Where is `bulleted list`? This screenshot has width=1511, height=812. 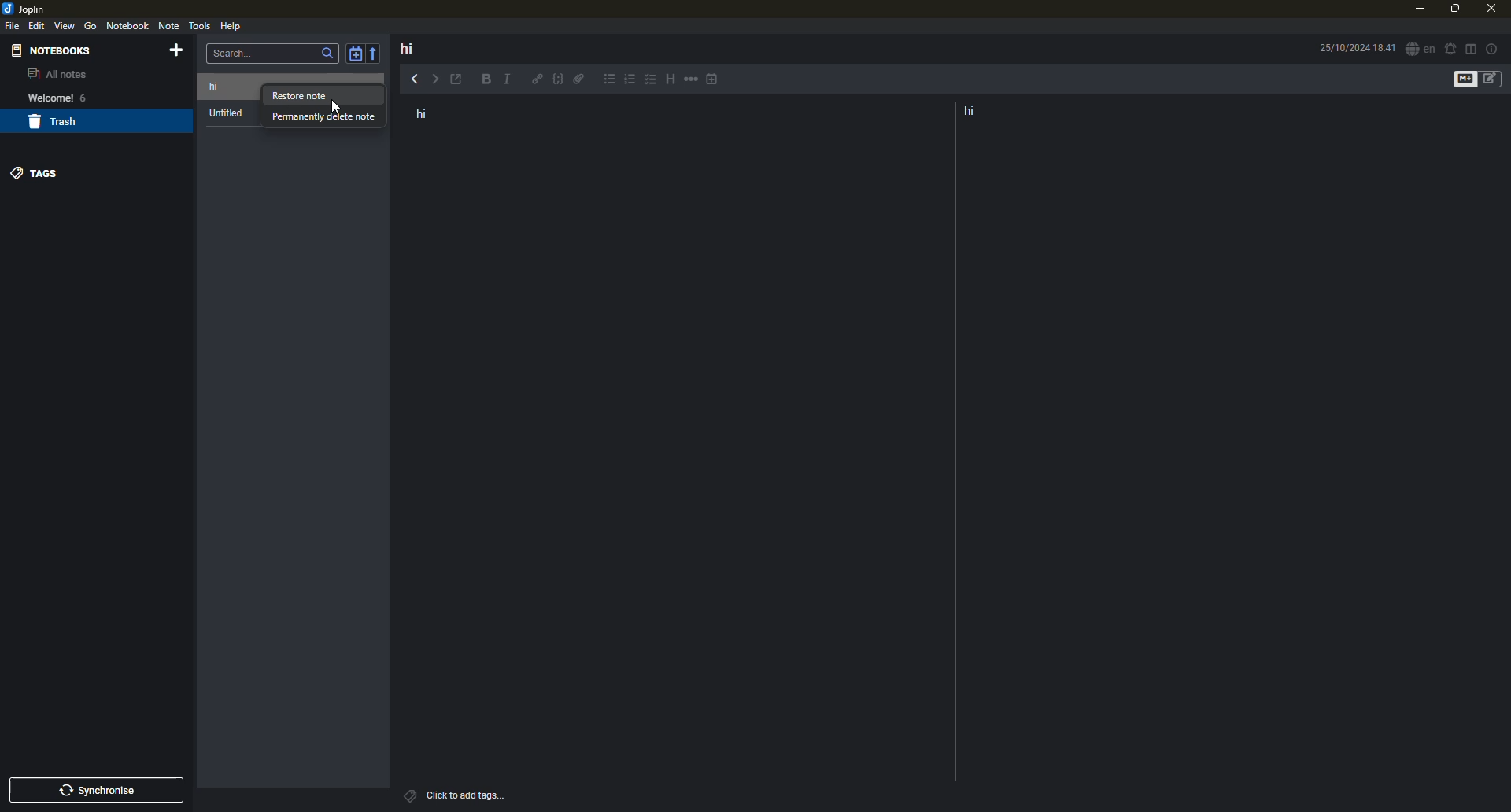
bulleted list is located at coordinates (610, 81).